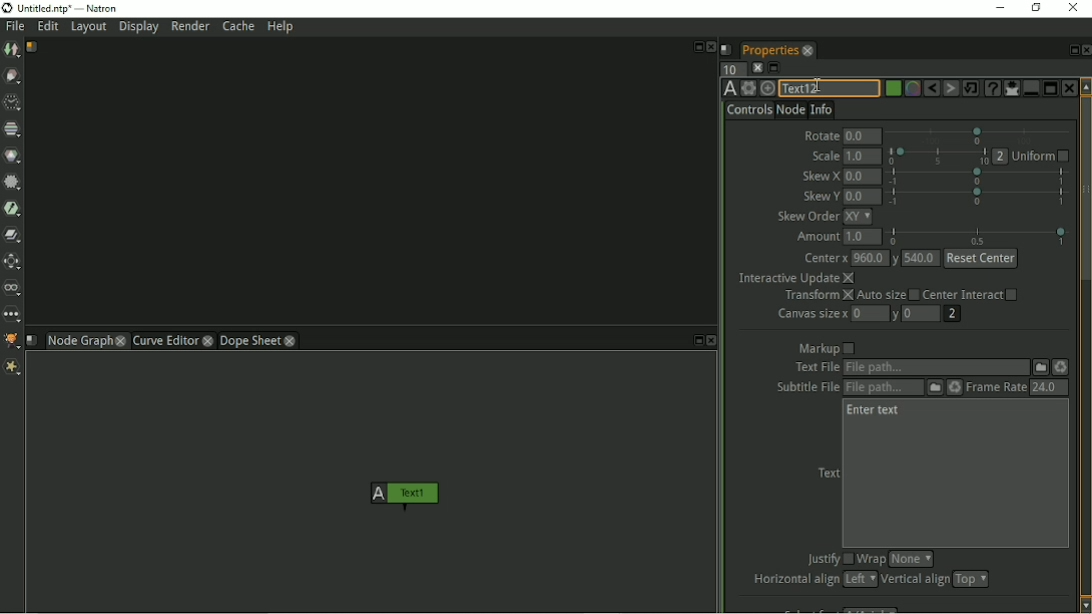  What do you see at coordinates (977, 176) in the screenshot?
I see `selection bar` at bounding box center [977, 176].